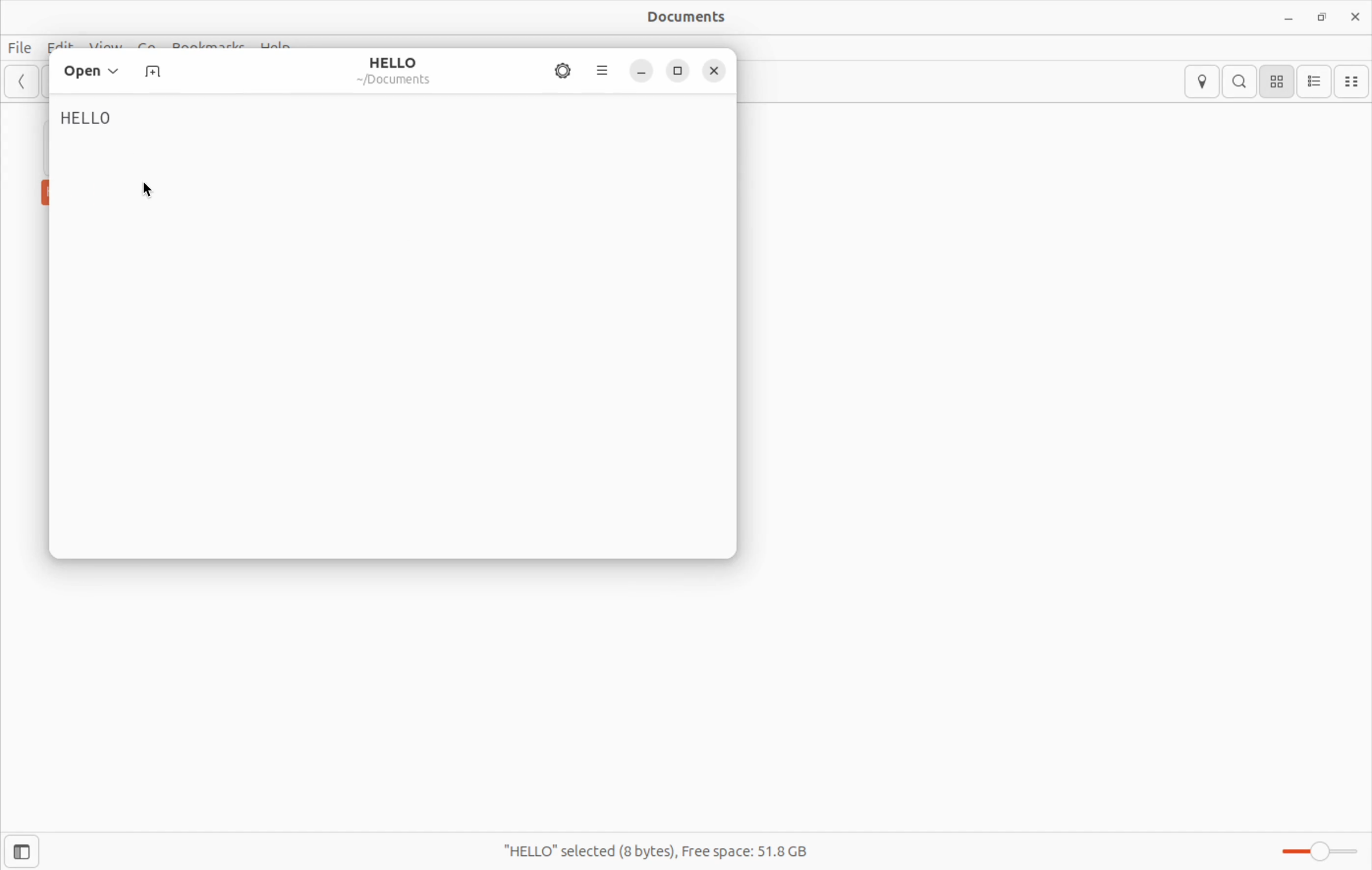 The height and width of the screenshot is (870, 1372). What do you see at coordinates (1200, 81) in the screenshot?
I see `location` at bounding box center [1200, 81].